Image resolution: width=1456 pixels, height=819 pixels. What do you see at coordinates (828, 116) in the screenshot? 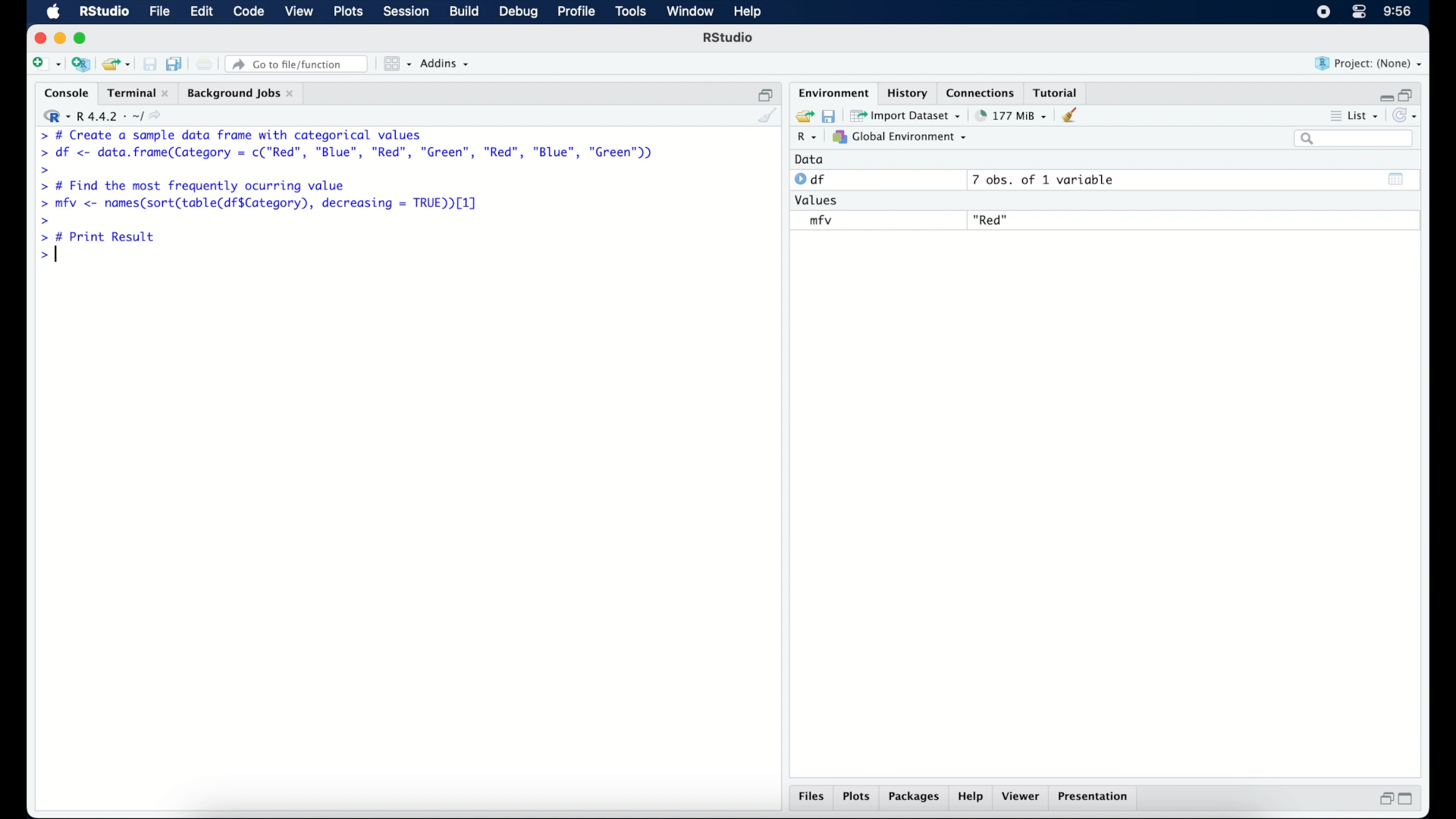
I see `save` at bounding box center [828, 116].